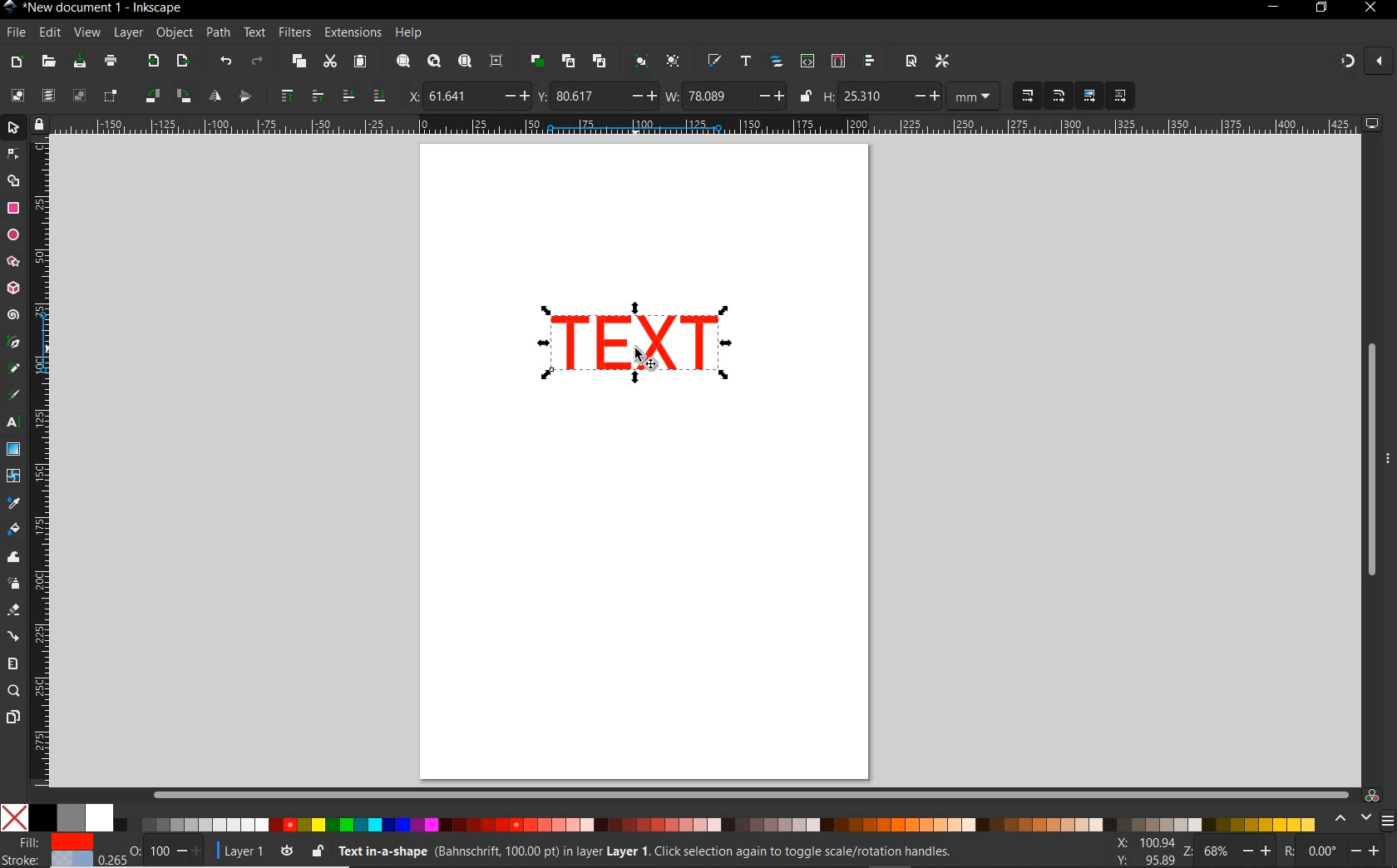 This screenshot has height=868, width=1397. What do you see at coordinates (13, 262) in the screenshot?
I see `star tool` at bounding box center [13, 262].